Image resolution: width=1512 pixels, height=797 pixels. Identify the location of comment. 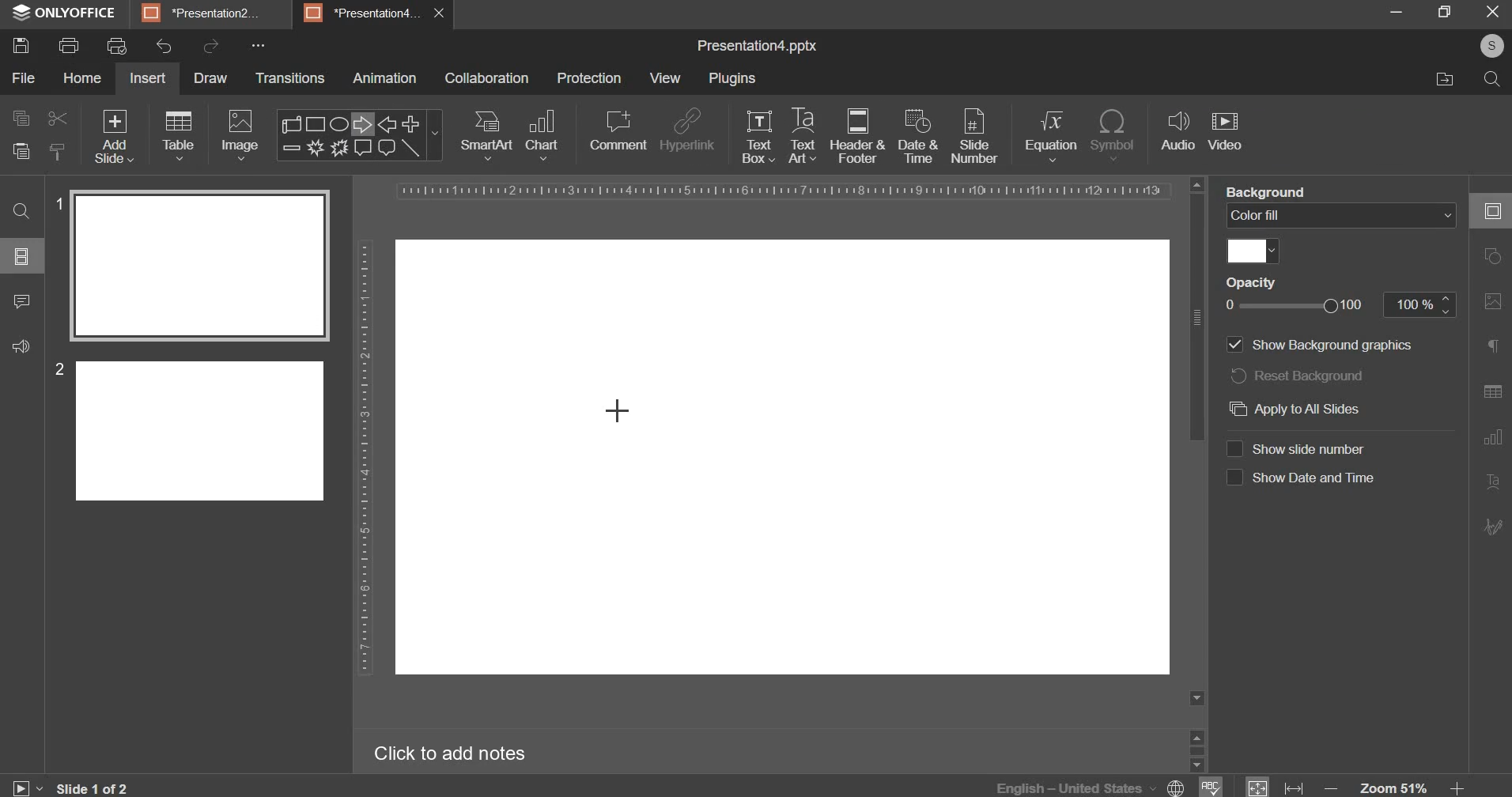
(23, 308).